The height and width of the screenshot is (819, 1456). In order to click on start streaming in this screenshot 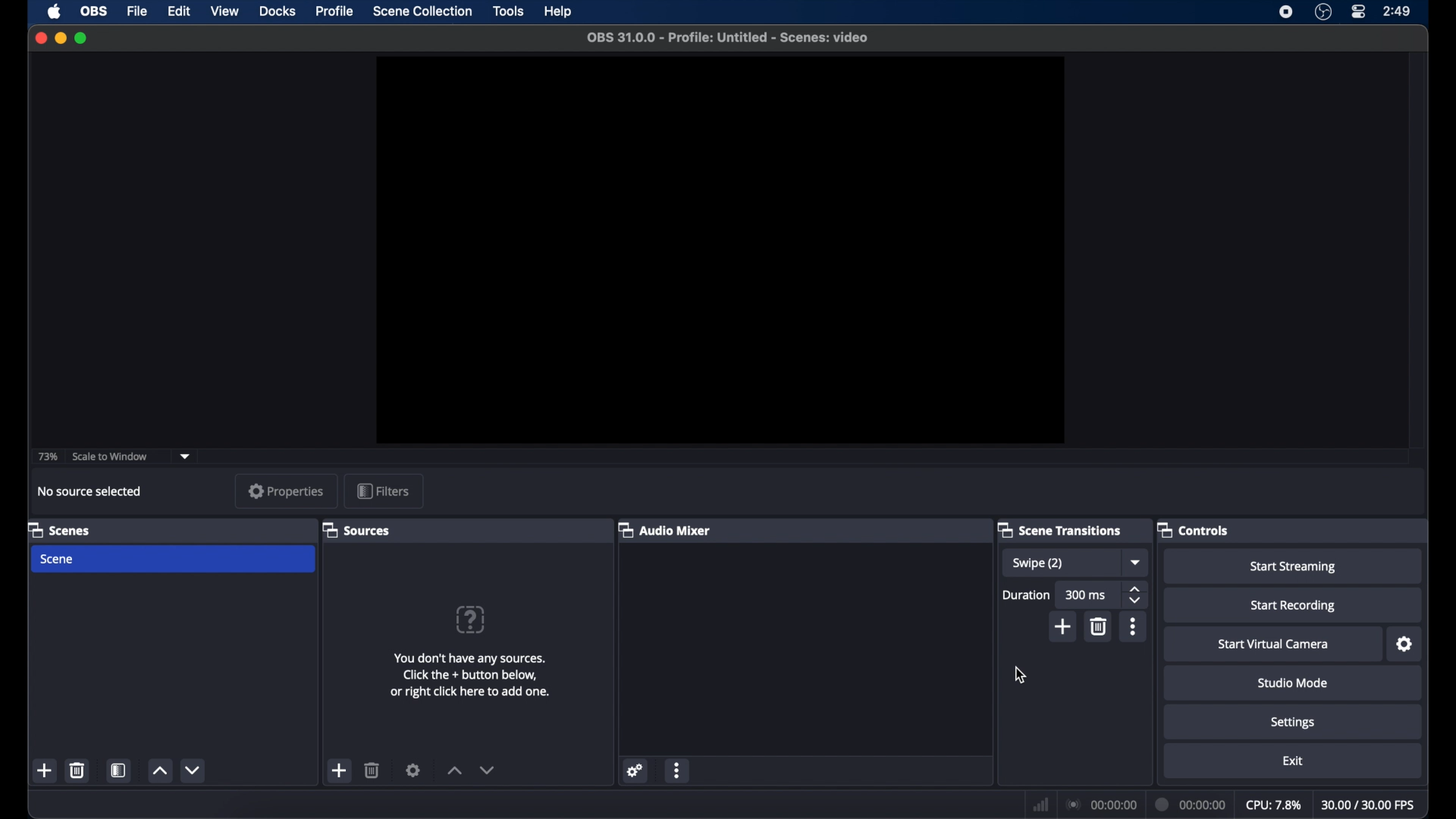, I will do `click(1293, 566)`.